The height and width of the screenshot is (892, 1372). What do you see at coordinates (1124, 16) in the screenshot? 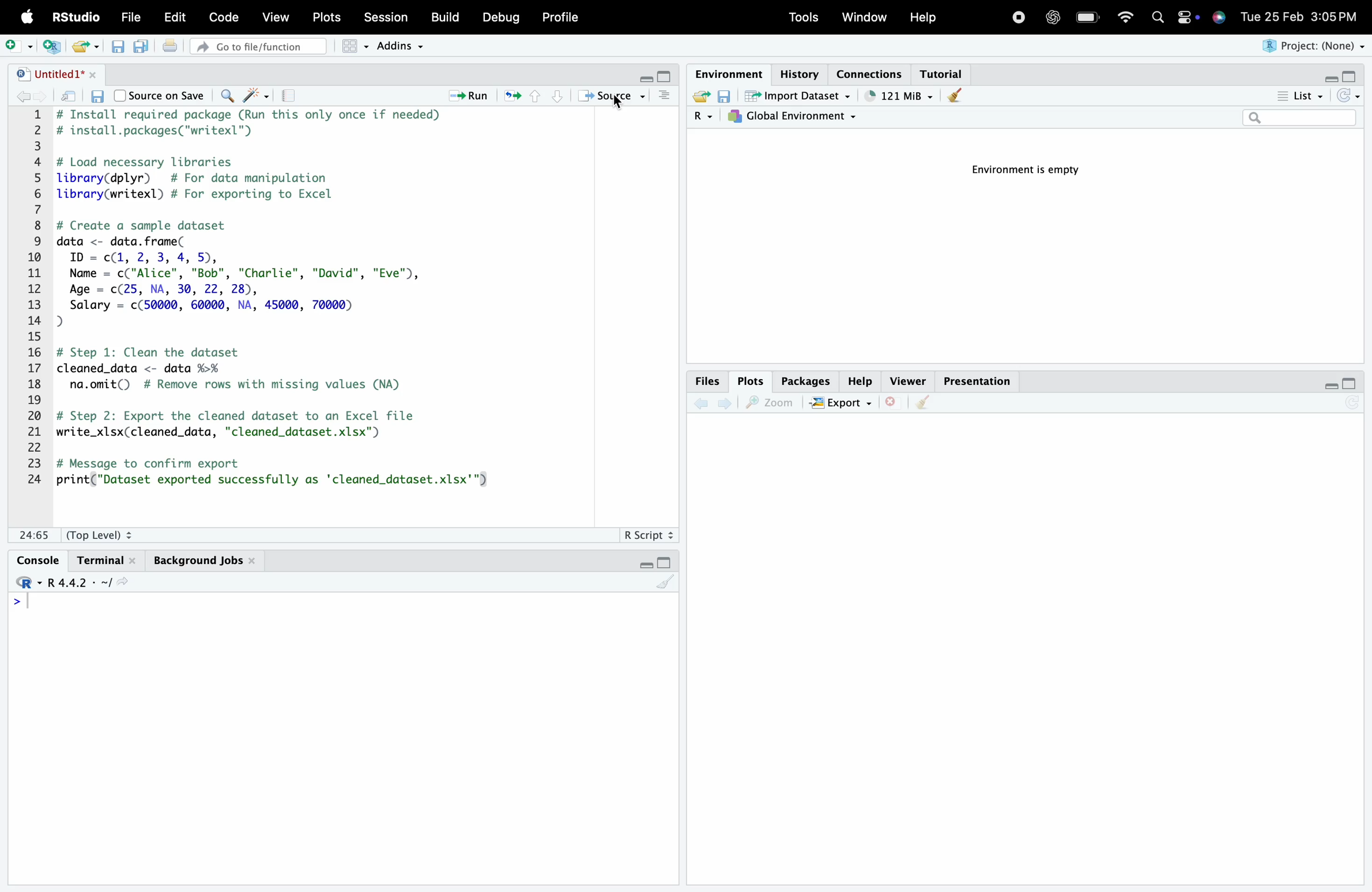
I see `Wifi` at bounding box center [1124, 16].